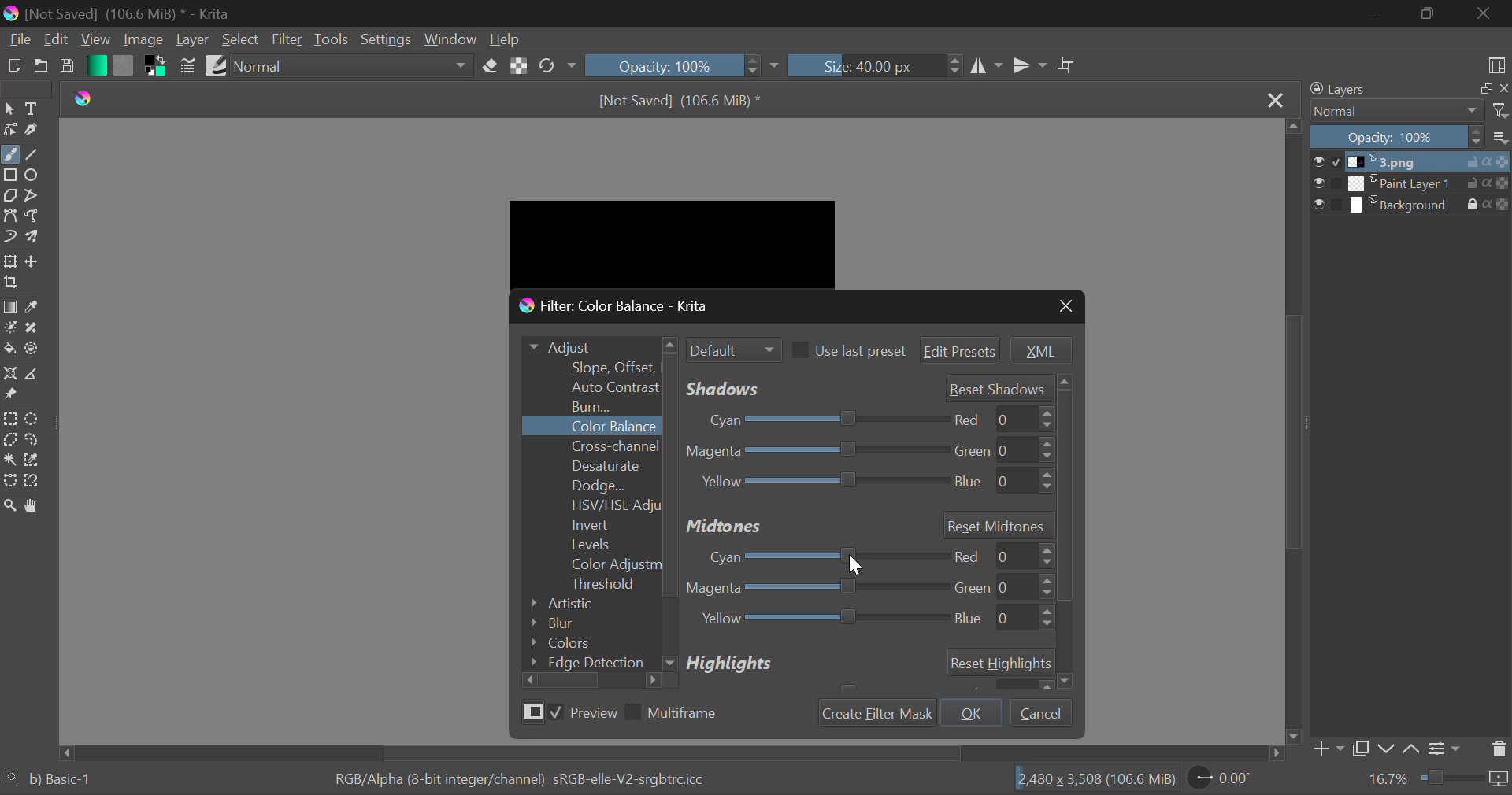 This screenshot has width=1512, height=795. Describe the element at coordinates (1293, 735) in the screenshot. I see `move down` at that location.